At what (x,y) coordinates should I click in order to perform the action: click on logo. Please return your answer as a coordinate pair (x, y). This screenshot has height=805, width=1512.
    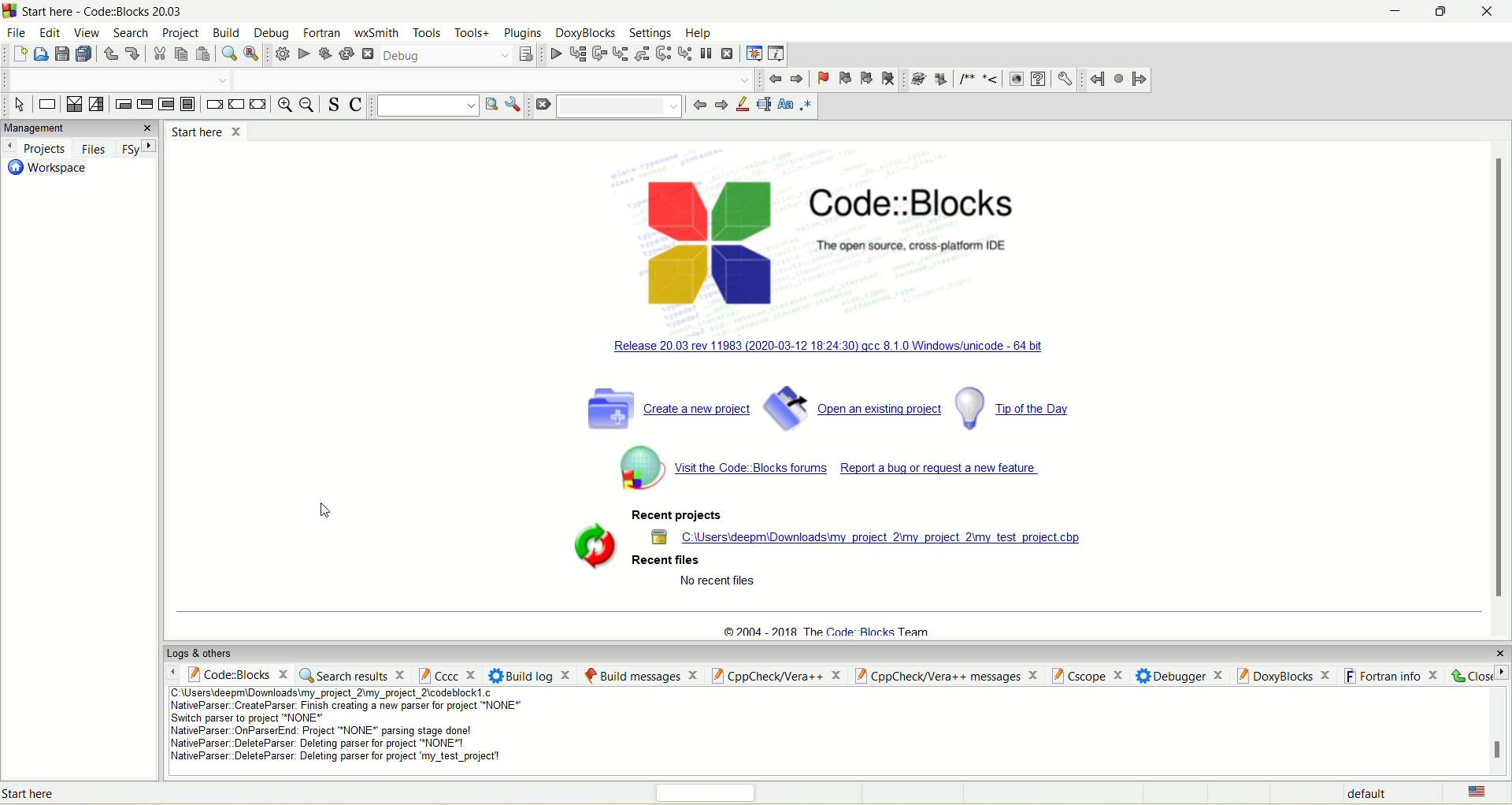
    Looking at the image, I should click on (9, 12).